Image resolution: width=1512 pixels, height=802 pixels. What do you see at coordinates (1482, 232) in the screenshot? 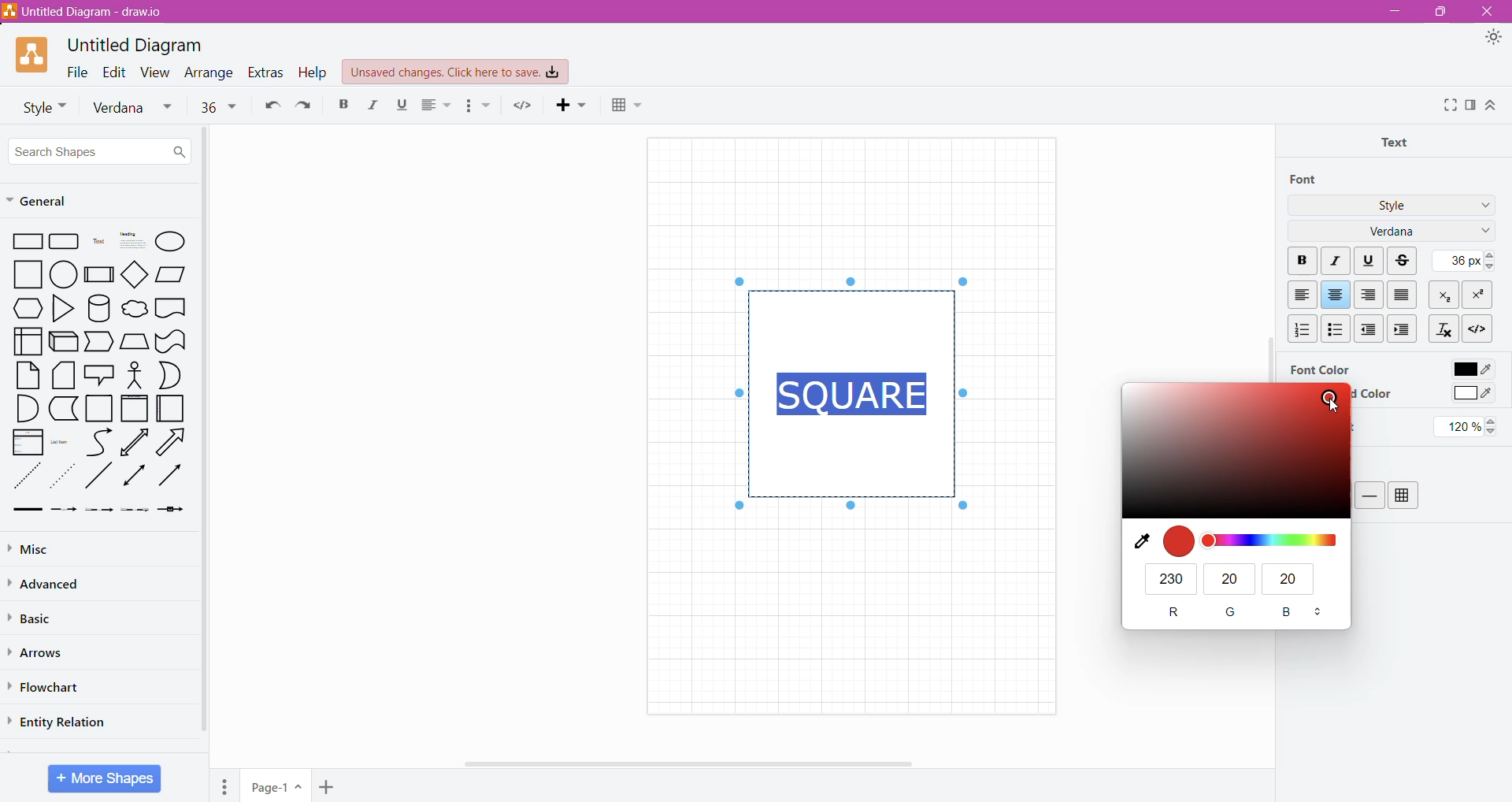
I see `Font Family` at bounding box center [1482, 232].